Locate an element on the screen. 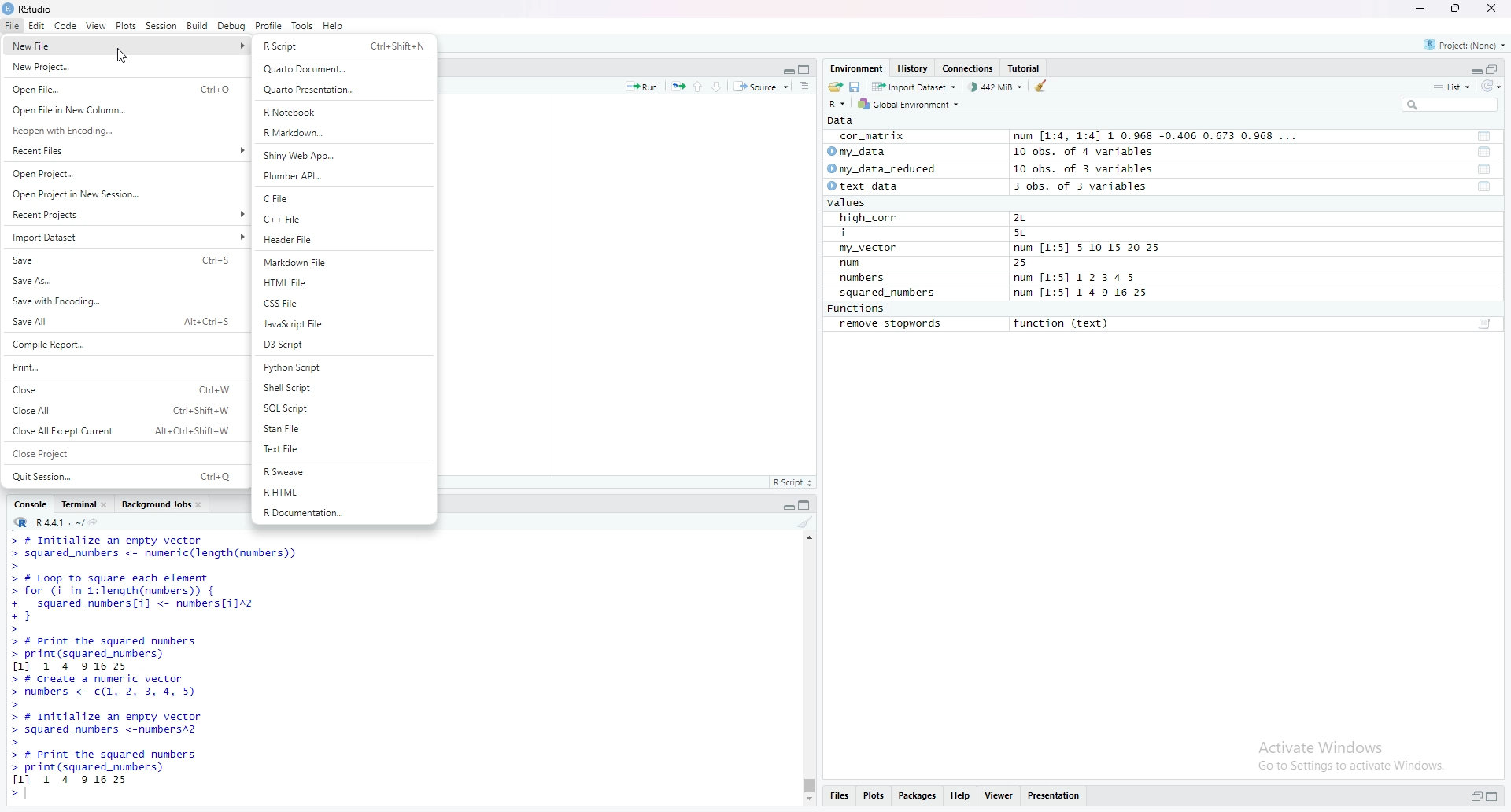 The height and width of the screenshot is (812, 1511). Compile Report... is located at coordinates (119, 345).